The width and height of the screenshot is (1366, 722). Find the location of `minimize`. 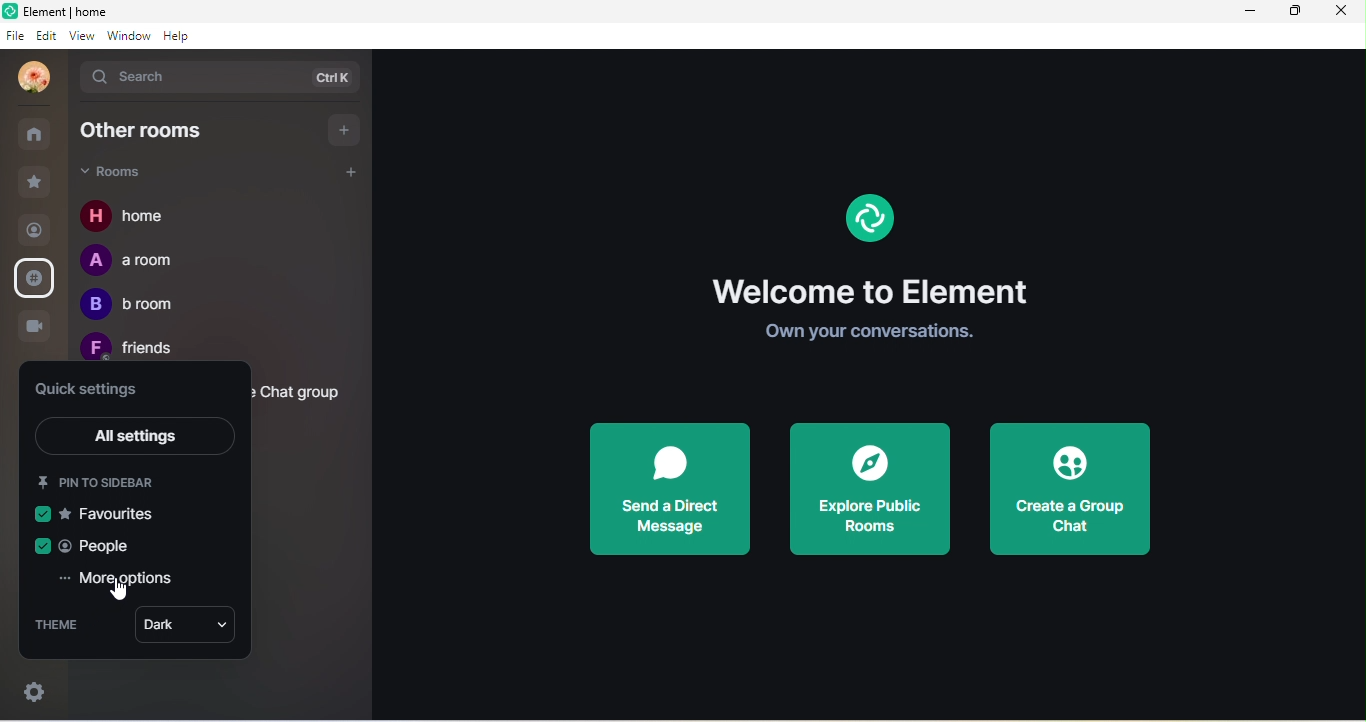

minimize is located at coordinates (1249, 15).